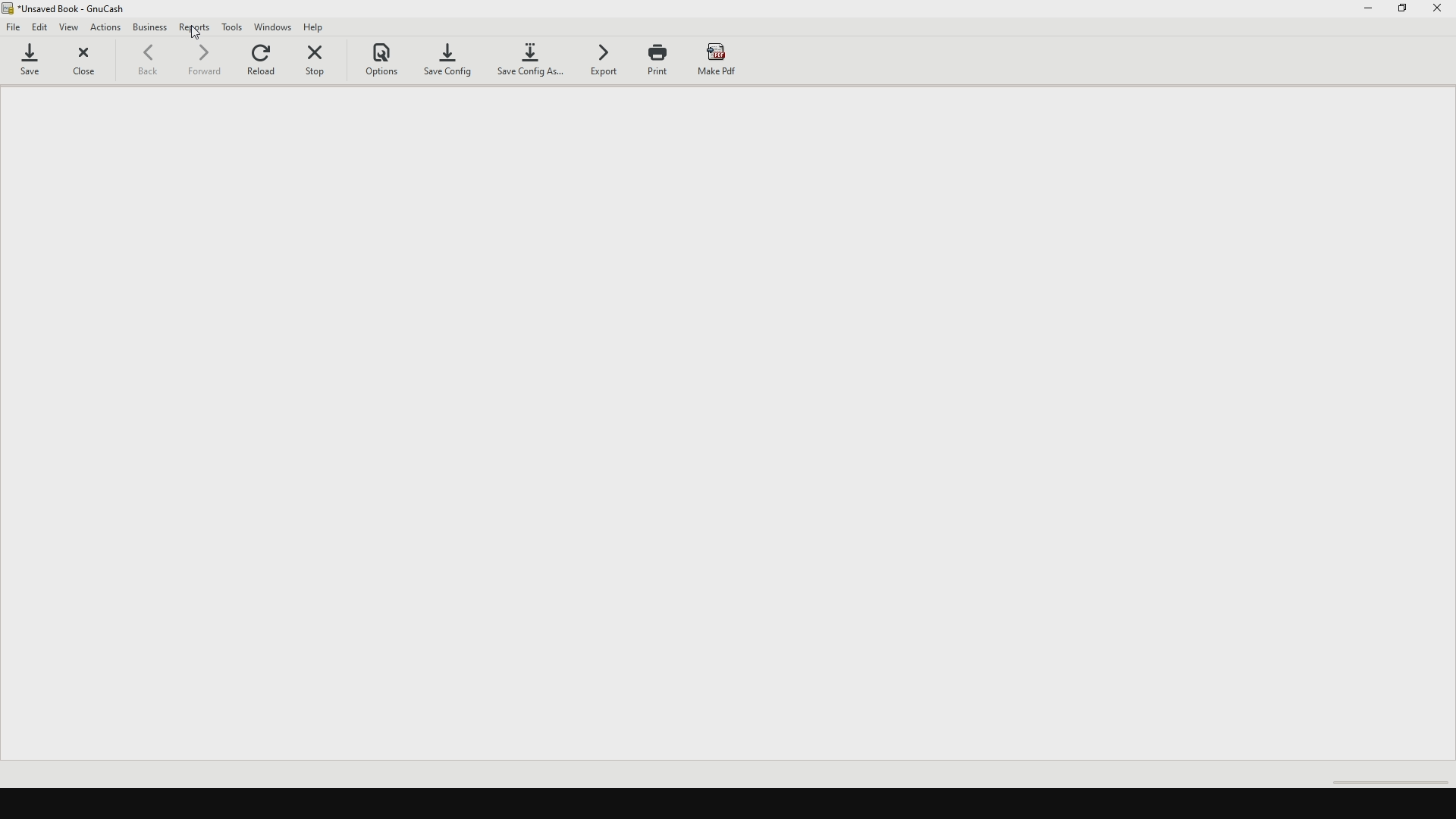 This screenshot has width=1456, height=819. Describe the element at coordinates (388, 58) in the screenshot. I see `options` at that location.